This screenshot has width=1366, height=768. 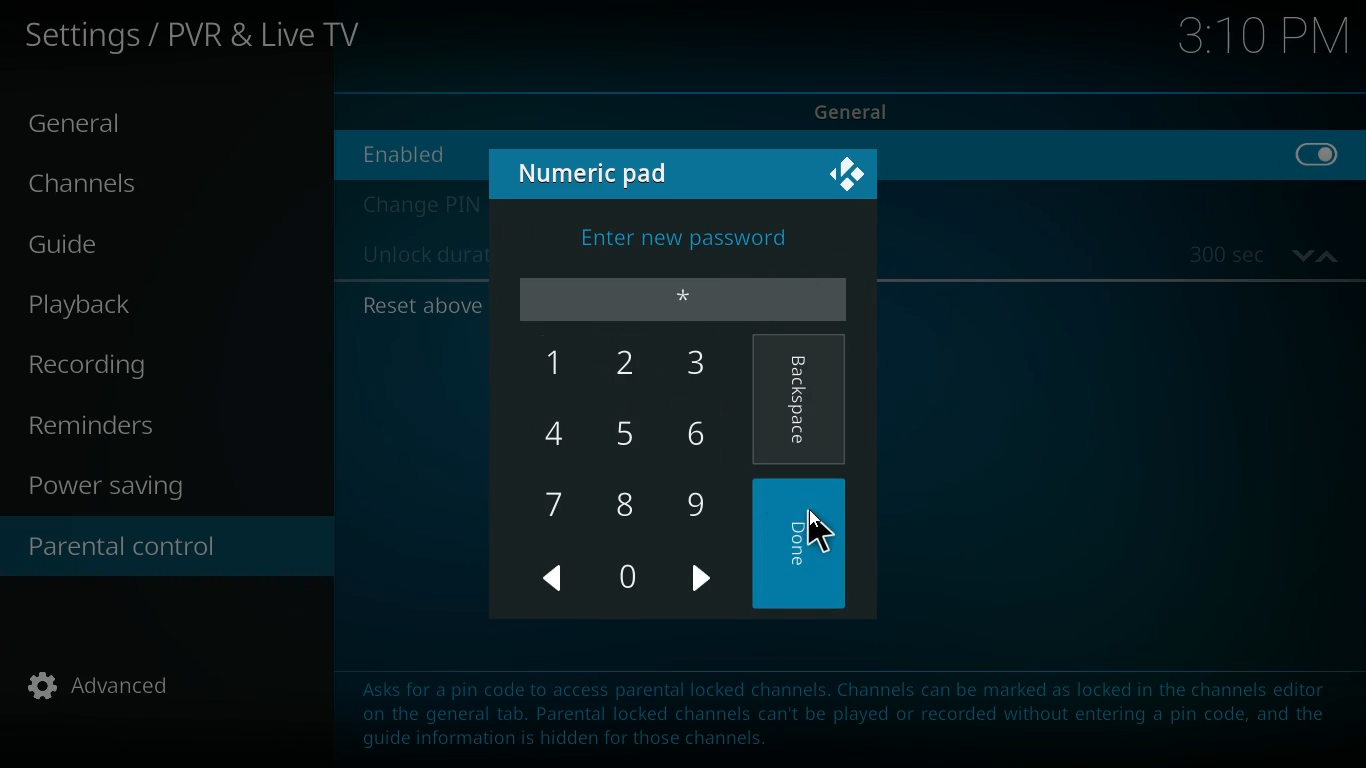 What do you see at coordinates (686, 298) in the screenshot?
I see `password` at bounding box center [686, 298].